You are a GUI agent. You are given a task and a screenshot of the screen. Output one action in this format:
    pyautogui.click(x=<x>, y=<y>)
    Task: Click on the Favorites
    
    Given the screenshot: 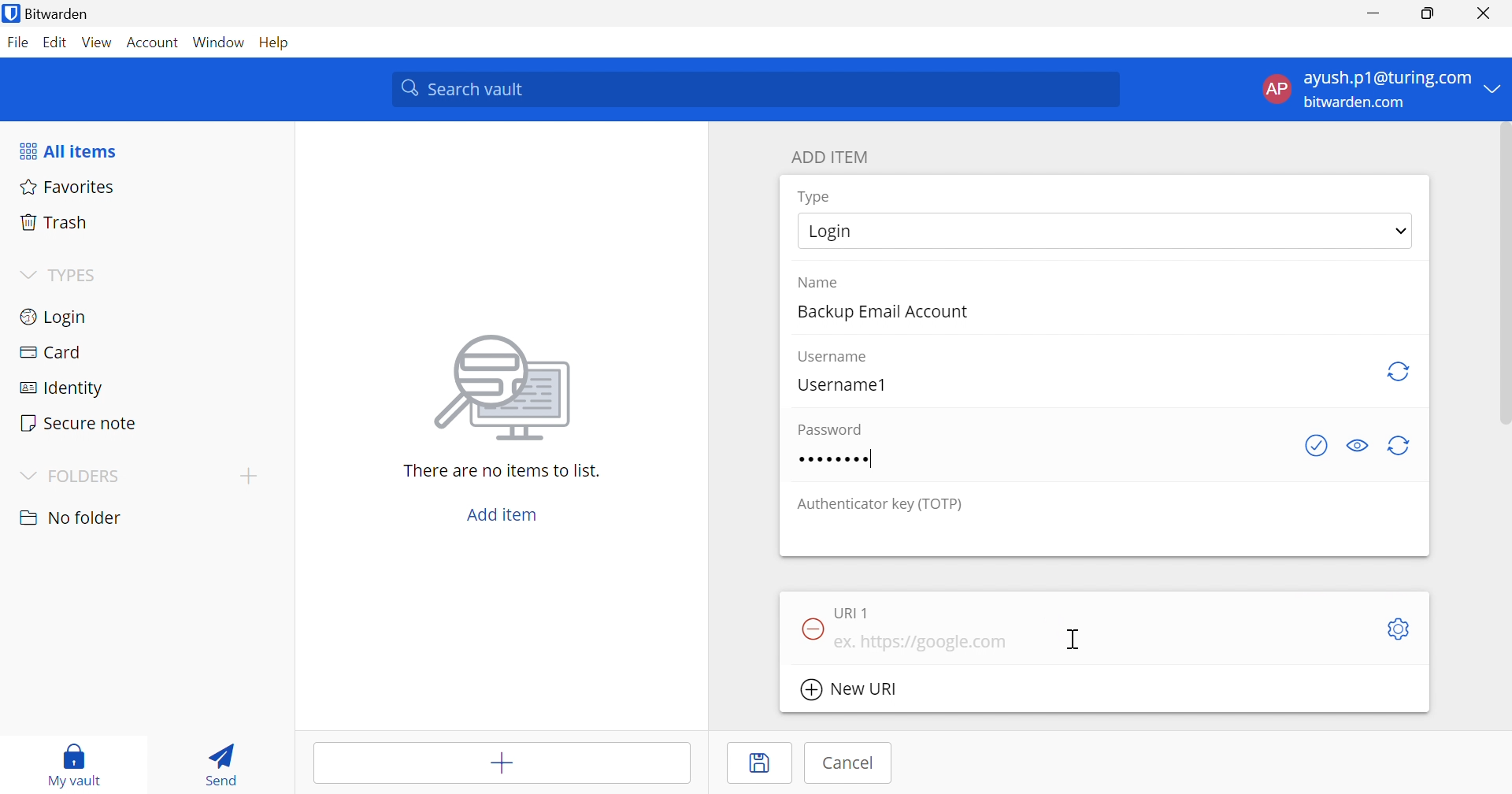 What is the action you would take?
    pyautogui.click(x=69, y=186)
    